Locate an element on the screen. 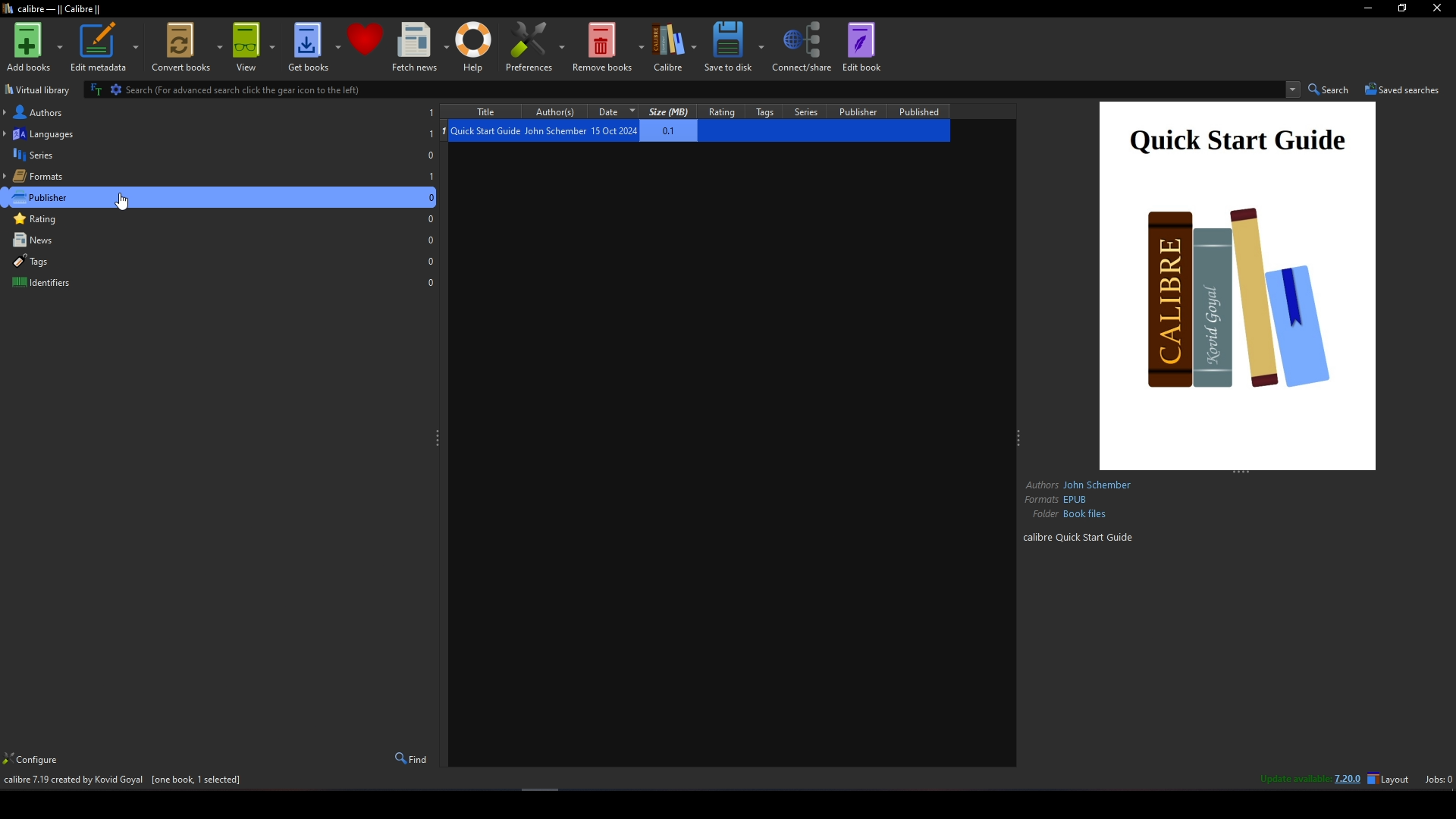 The image size is (1456, 819). Book format is located at coordinates (1059, 500).